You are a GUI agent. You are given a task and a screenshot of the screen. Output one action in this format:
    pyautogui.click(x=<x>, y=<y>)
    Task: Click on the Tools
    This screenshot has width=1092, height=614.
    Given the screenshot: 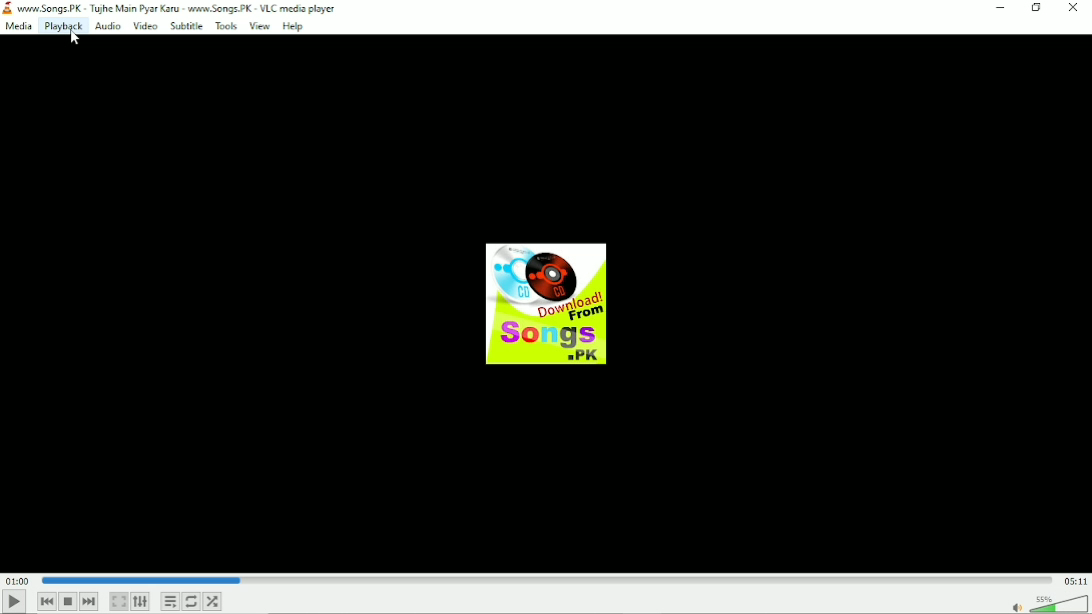 What is the action you would take?
    pyautogui.click(x=226, y=27)
    